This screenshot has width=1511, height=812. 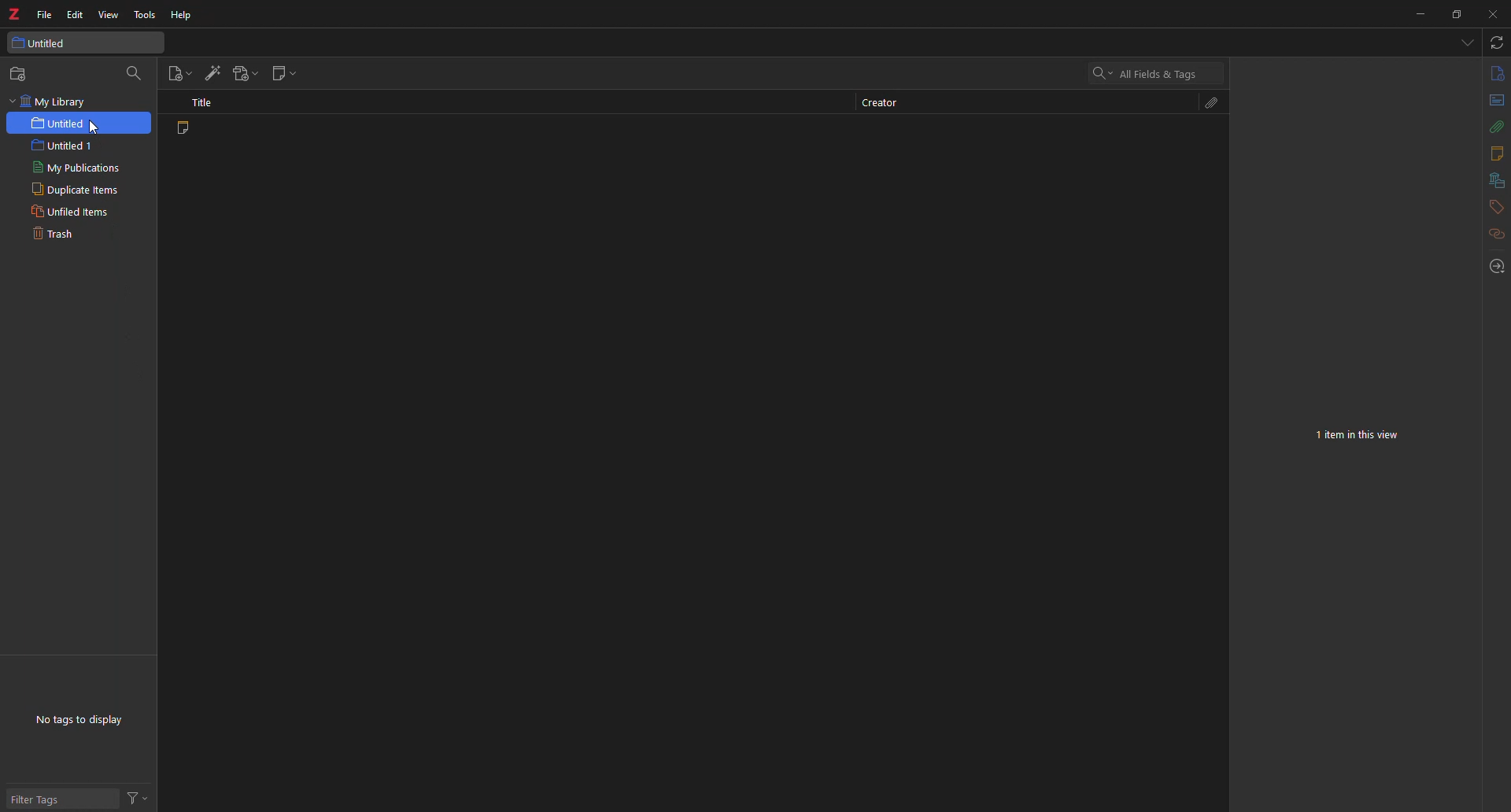 What do you see at coordinates (1147, 76) in the screenshot?
I see `search` at bounding box center [1147, 76].